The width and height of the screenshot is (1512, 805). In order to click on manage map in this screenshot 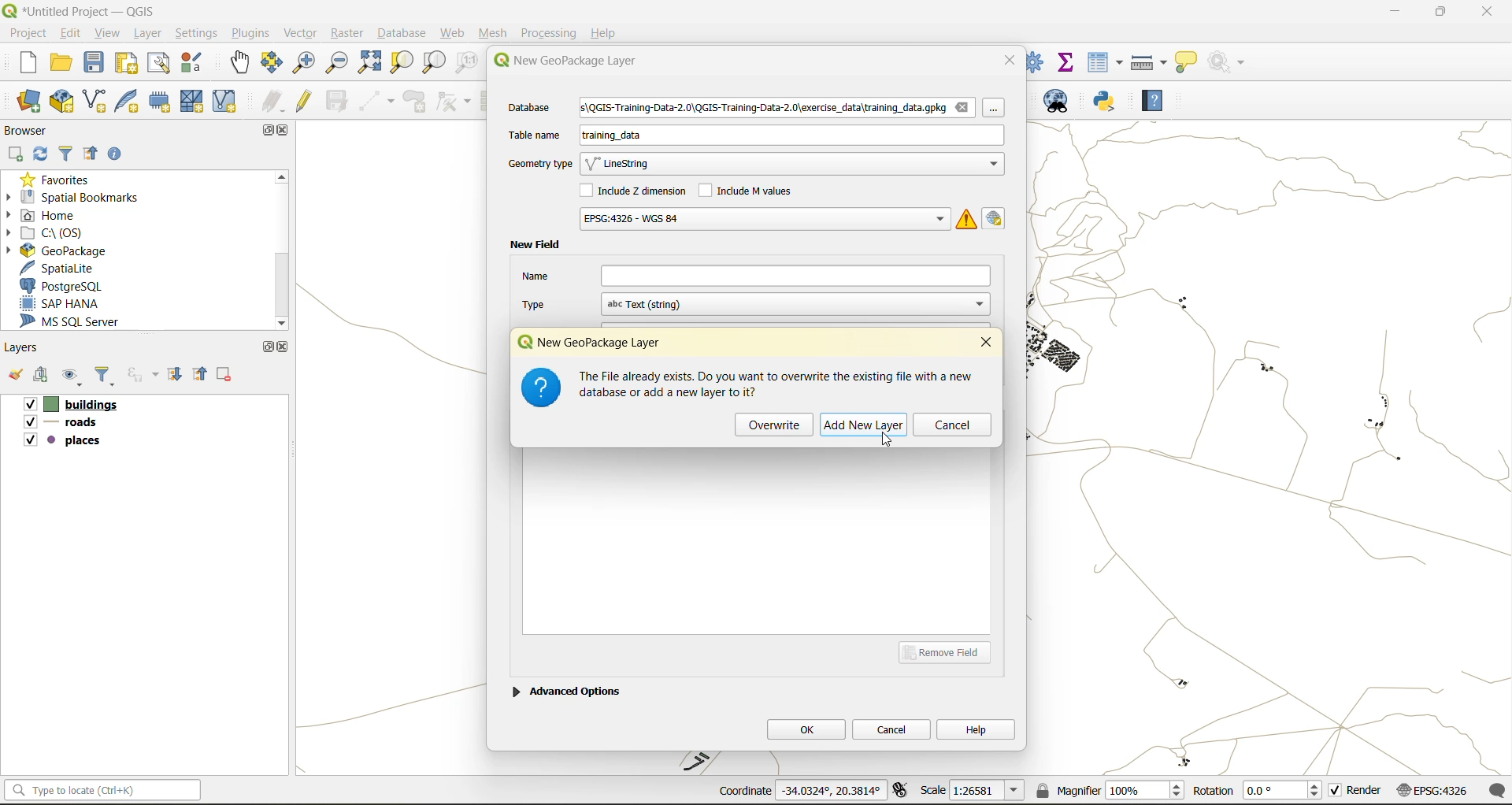, I will do `click(74, 378)`.